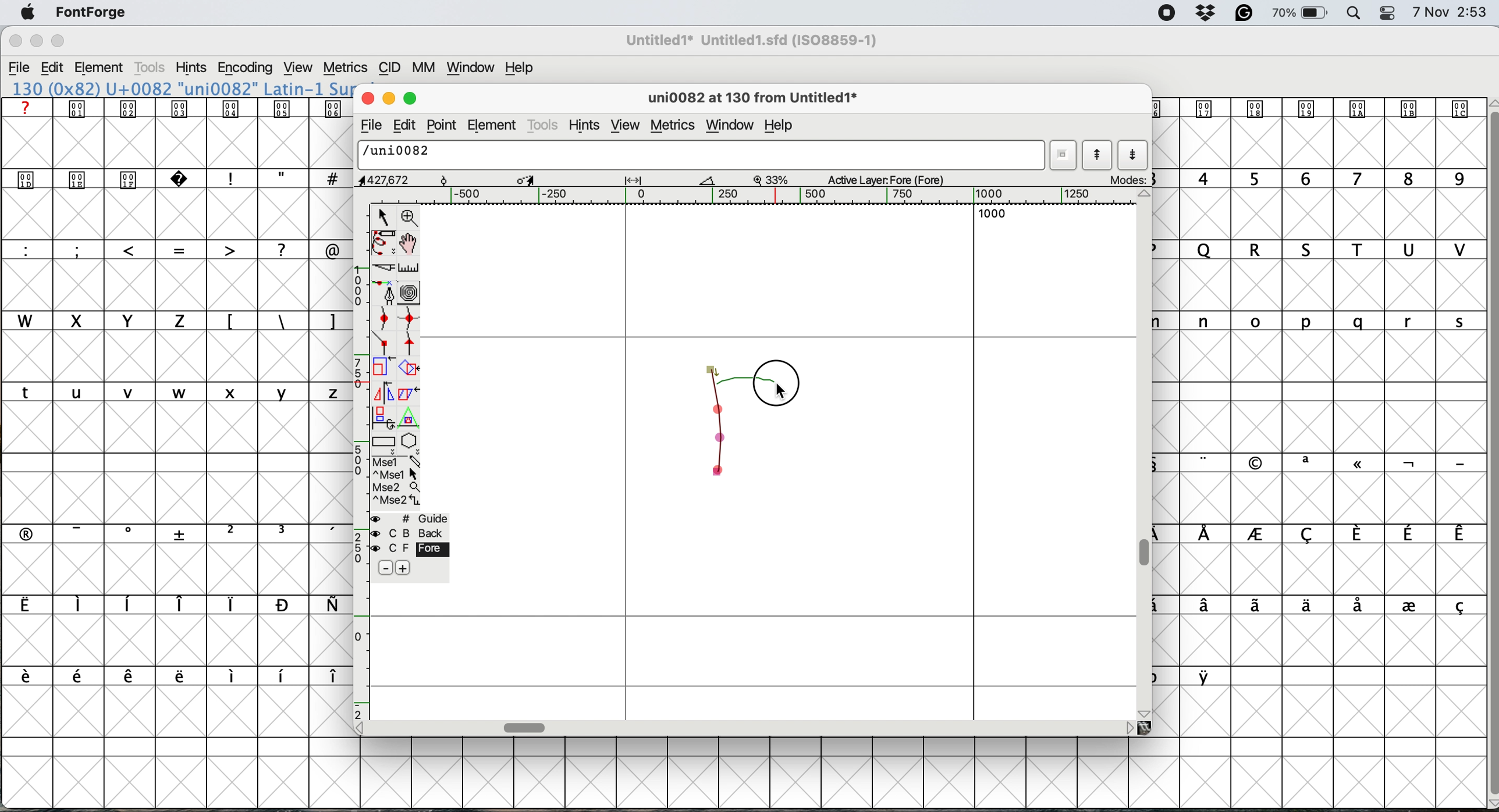  I want to click on special icons, so click(1316, 109).